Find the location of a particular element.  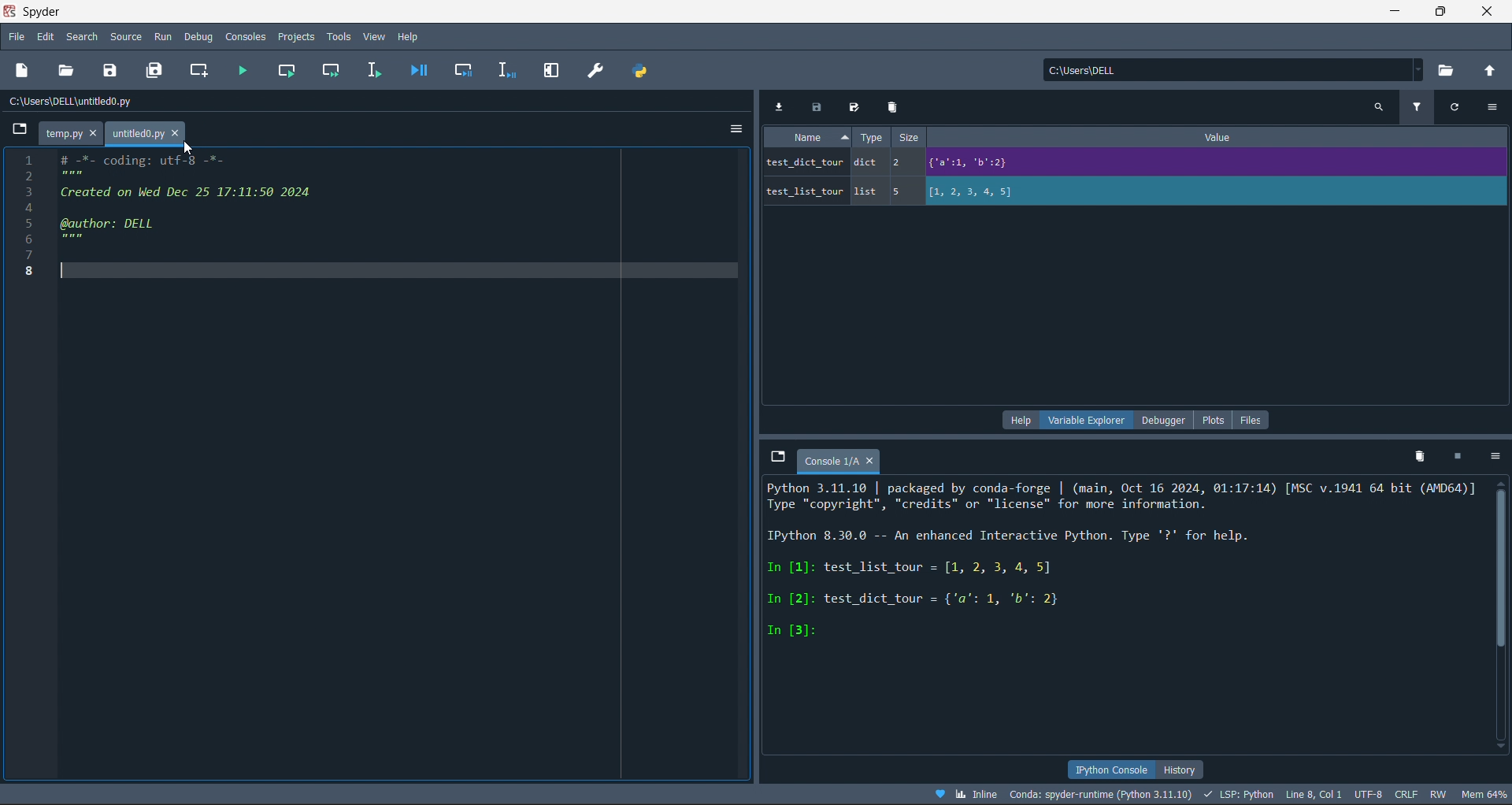

debugger pane is located at coordinates (1169, 421).